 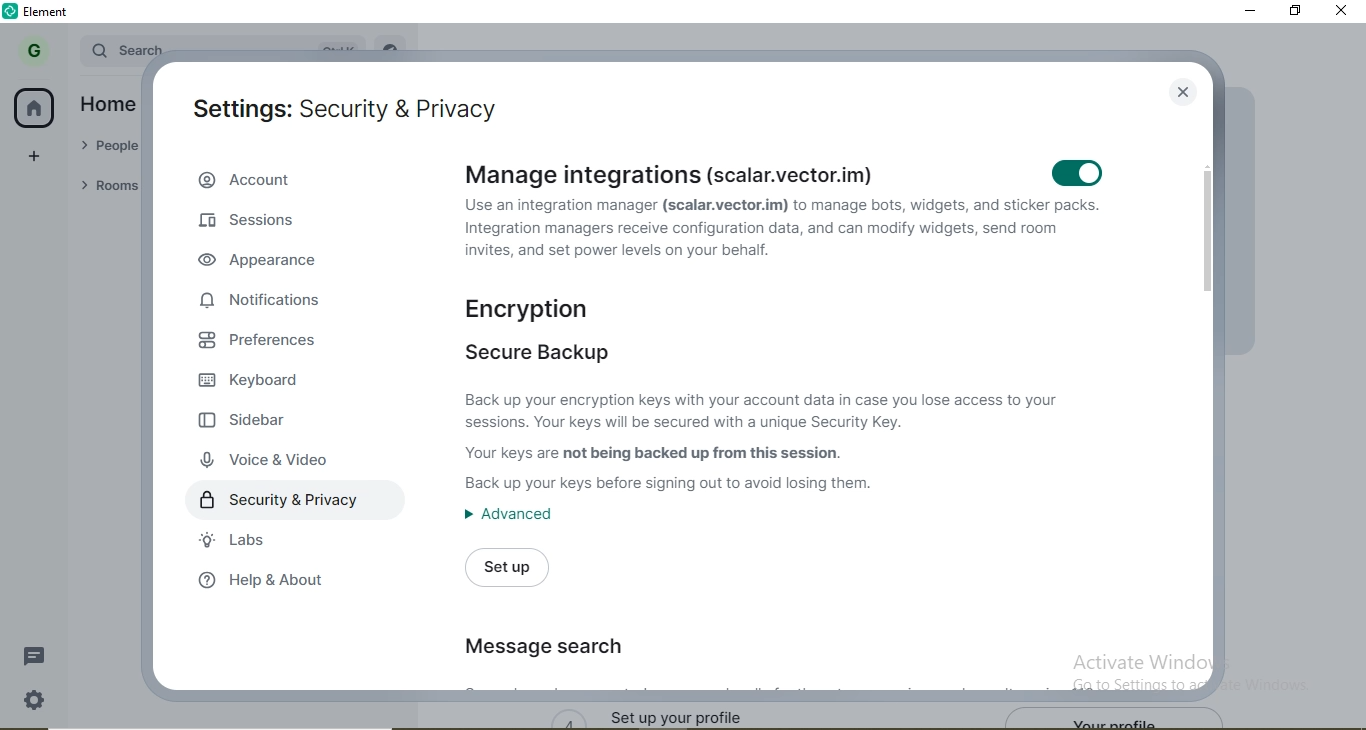 What do you see at coordinates (340, 100) in the screenshot?
I see `settings: security & privacy` at bounding box center [340, 100].